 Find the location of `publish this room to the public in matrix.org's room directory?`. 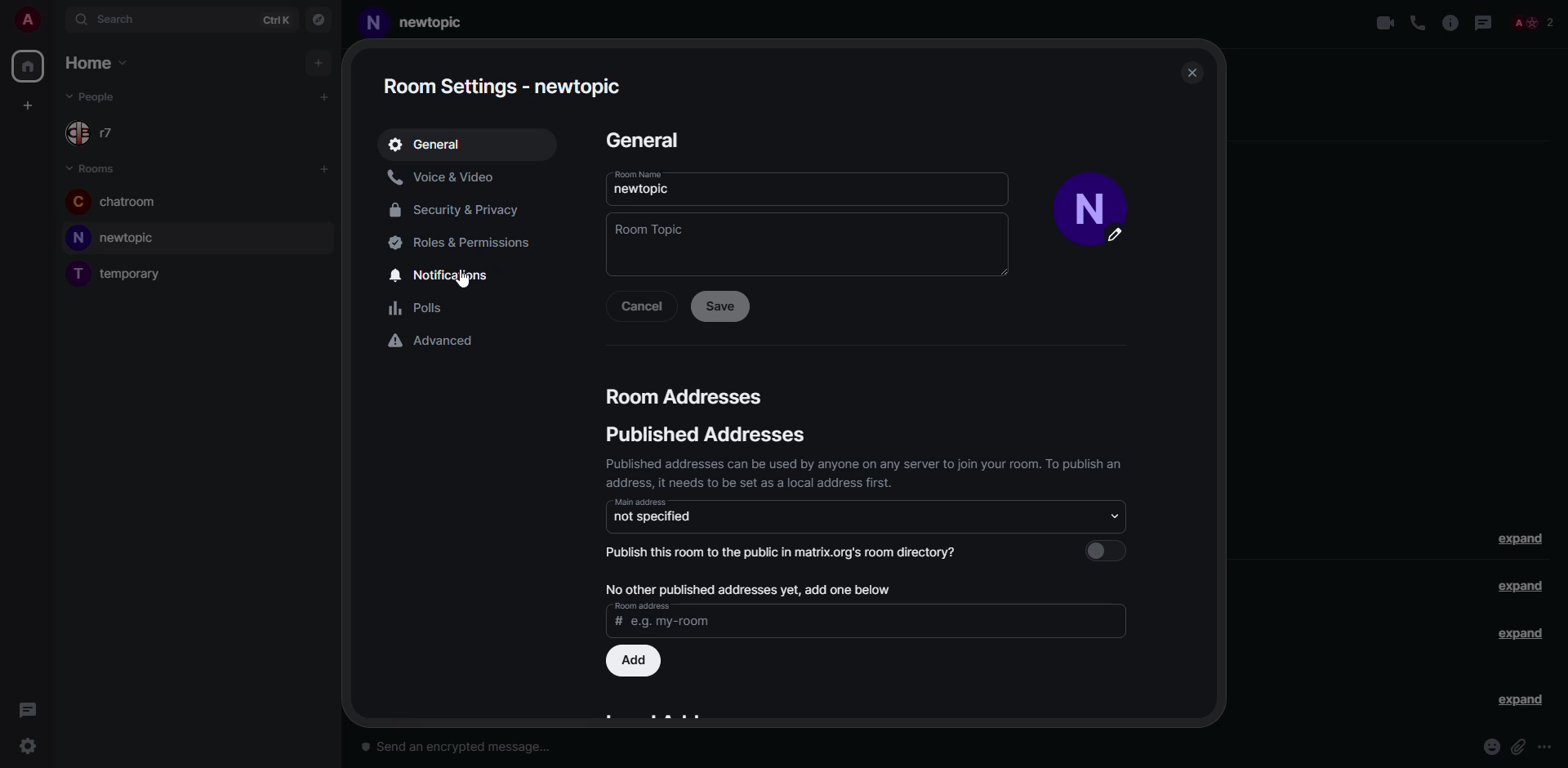

publish this room to the public in matrix.org's room directory? is located at coordinates (791, 552).